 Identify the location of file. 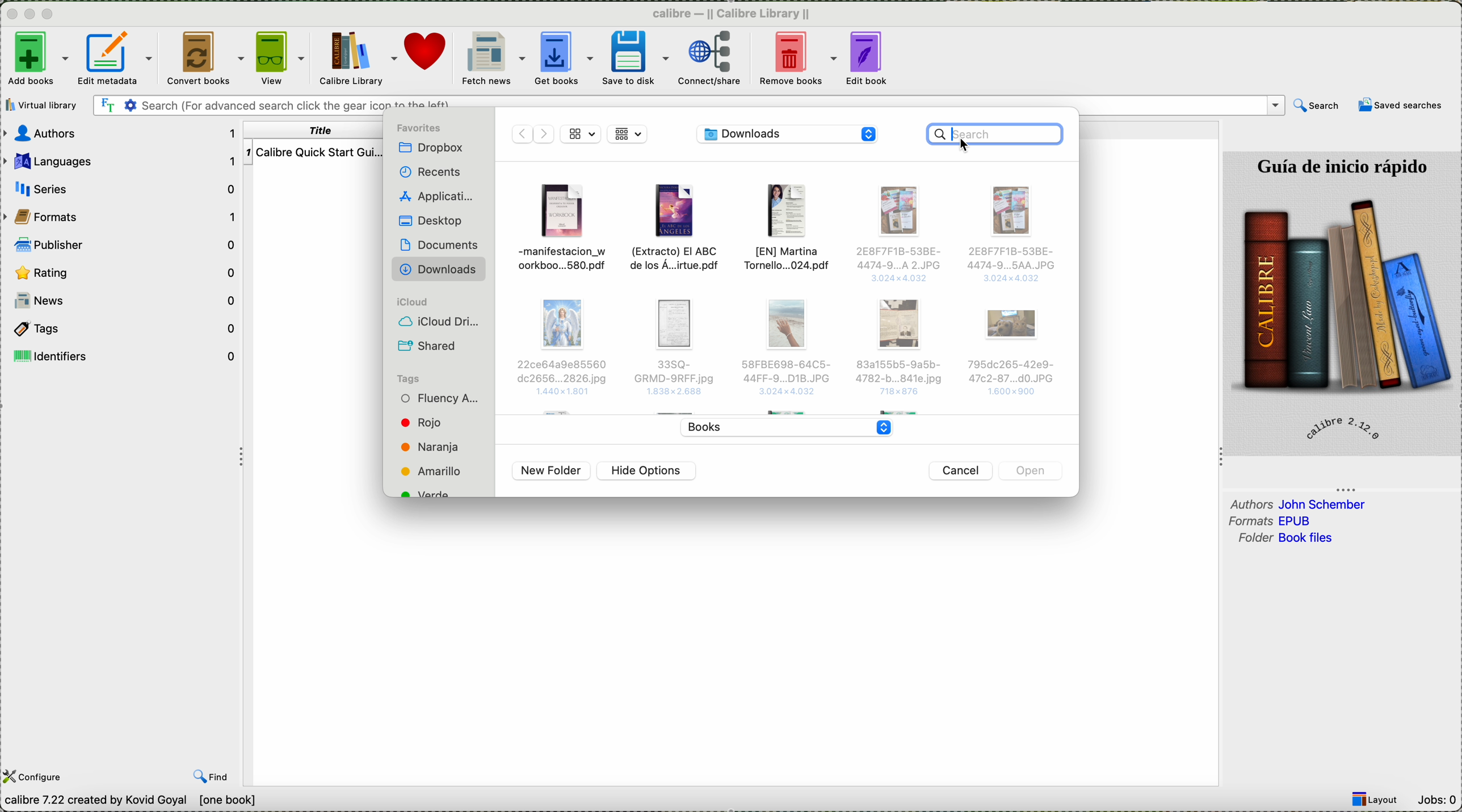
(565, 225).